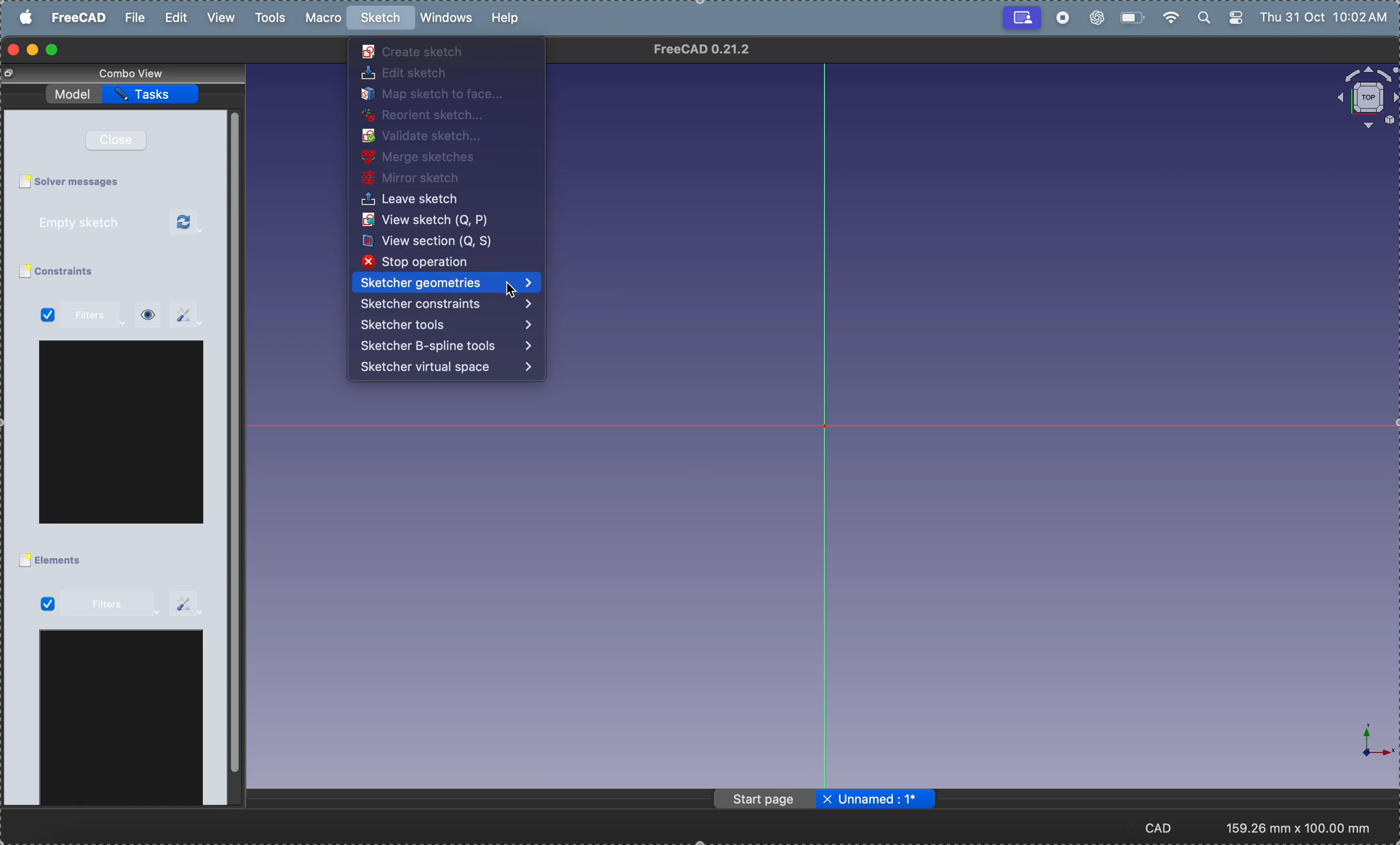 Image resolution: width=1400 pixels, height=845 pixels. What do you see at coordinates (383, 18) in the screenshot?
I see `sketch` at bounding box center [383, 18].